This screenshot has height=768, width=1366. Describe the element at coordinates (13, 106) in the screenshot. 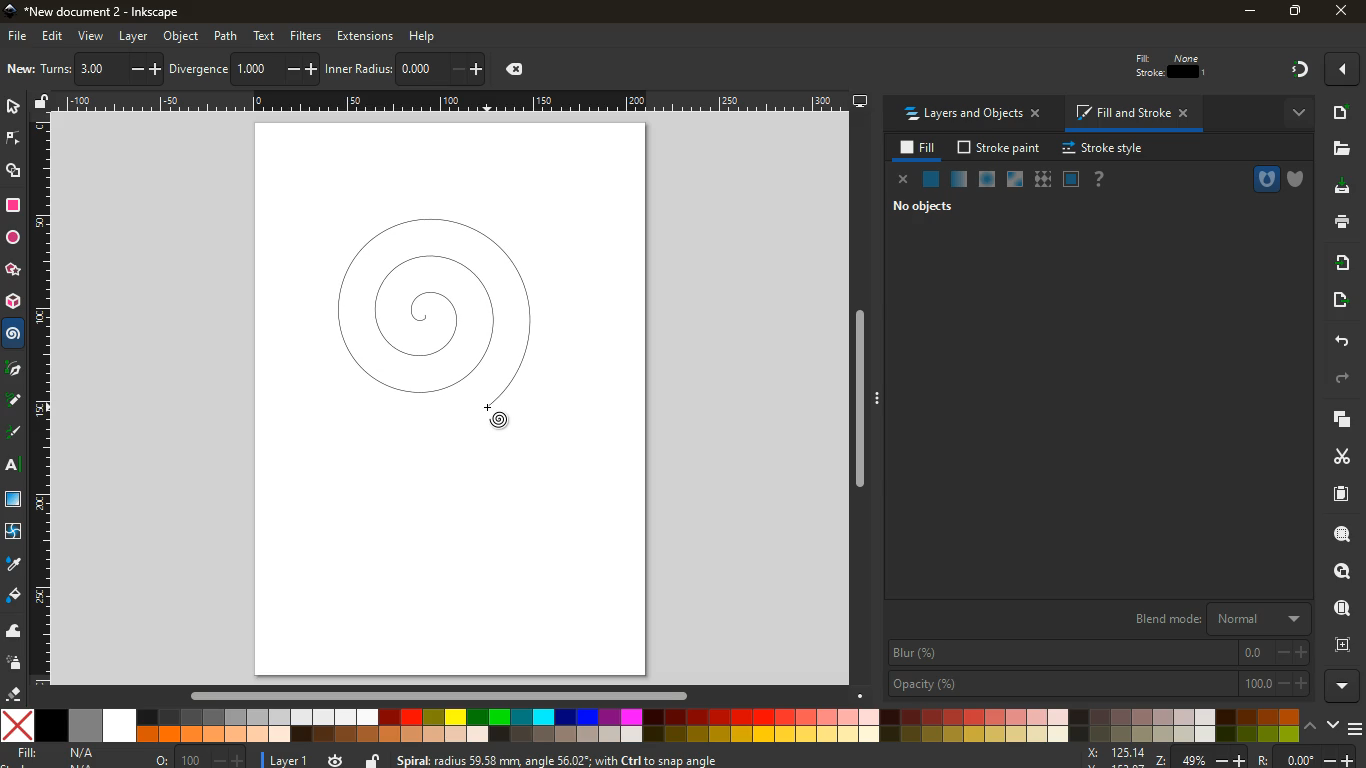

I see `select` at that location.